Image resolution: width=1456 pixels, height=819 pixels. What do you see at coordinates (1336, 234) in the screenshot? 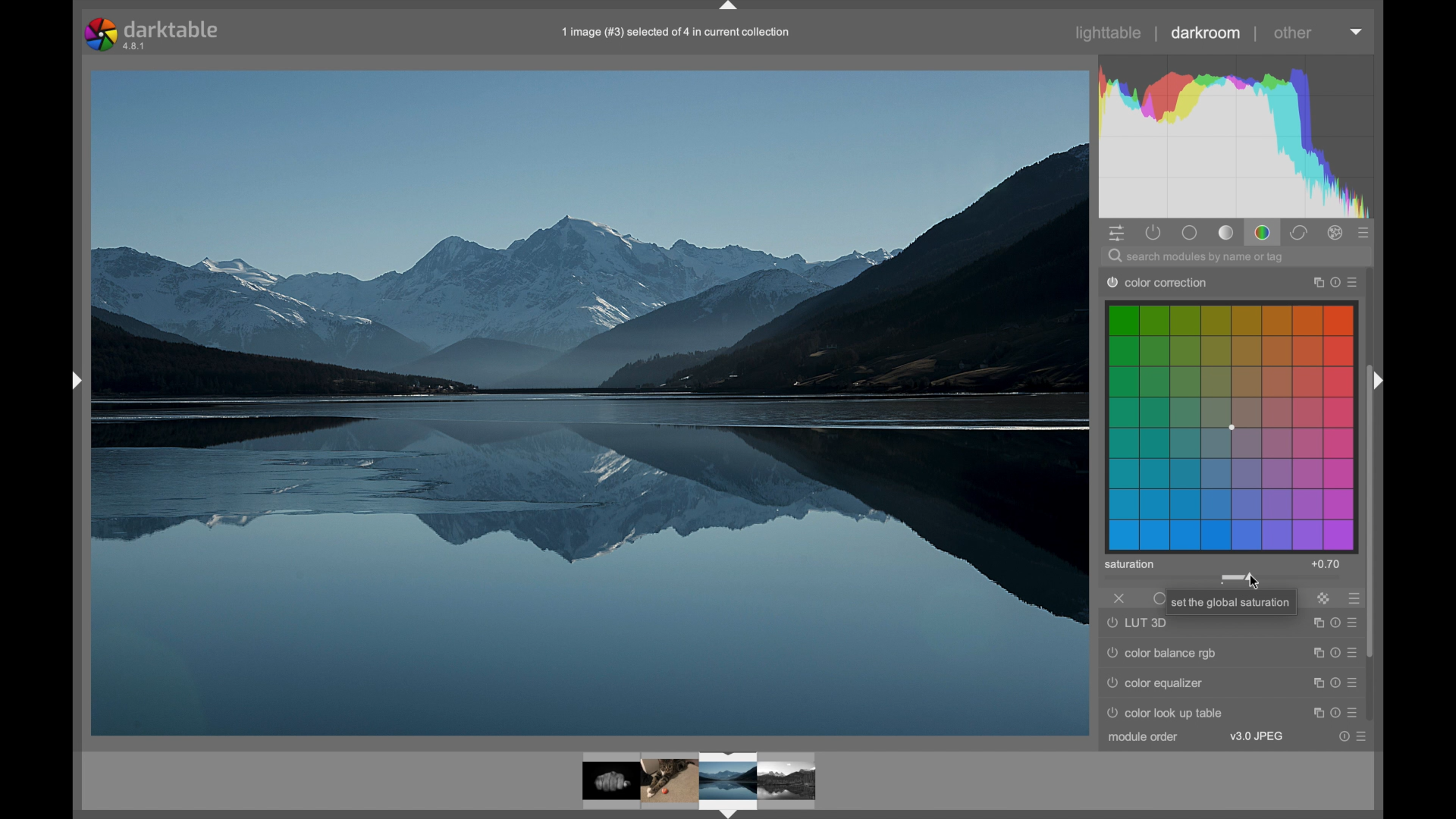
I see `effects` at bounding box center [1336, 234].